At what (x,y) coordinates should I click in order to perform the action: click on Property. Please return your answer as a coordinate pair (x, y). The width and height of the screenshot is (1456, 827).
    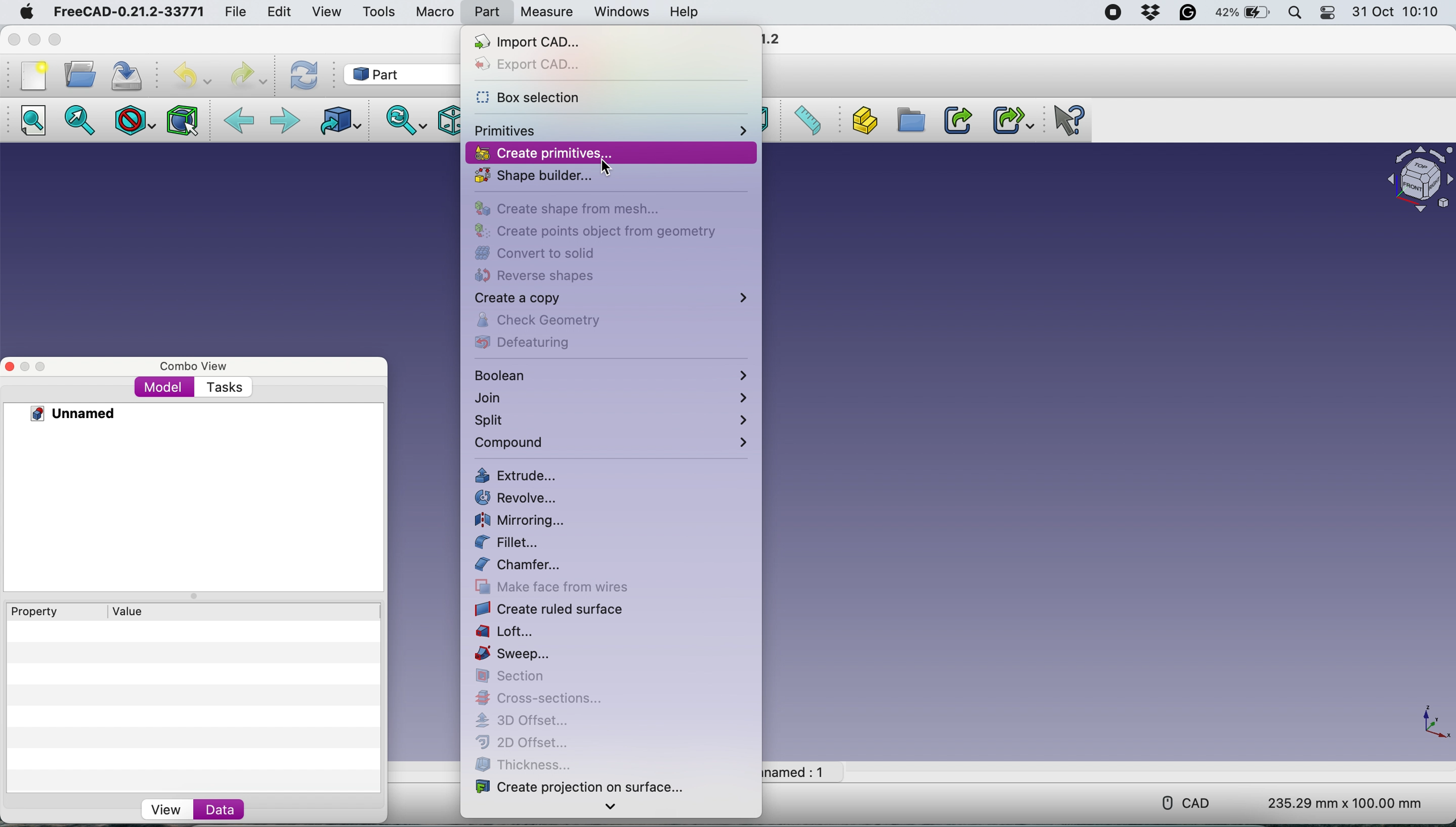
    Looking at the image, I should click on (34, 611).